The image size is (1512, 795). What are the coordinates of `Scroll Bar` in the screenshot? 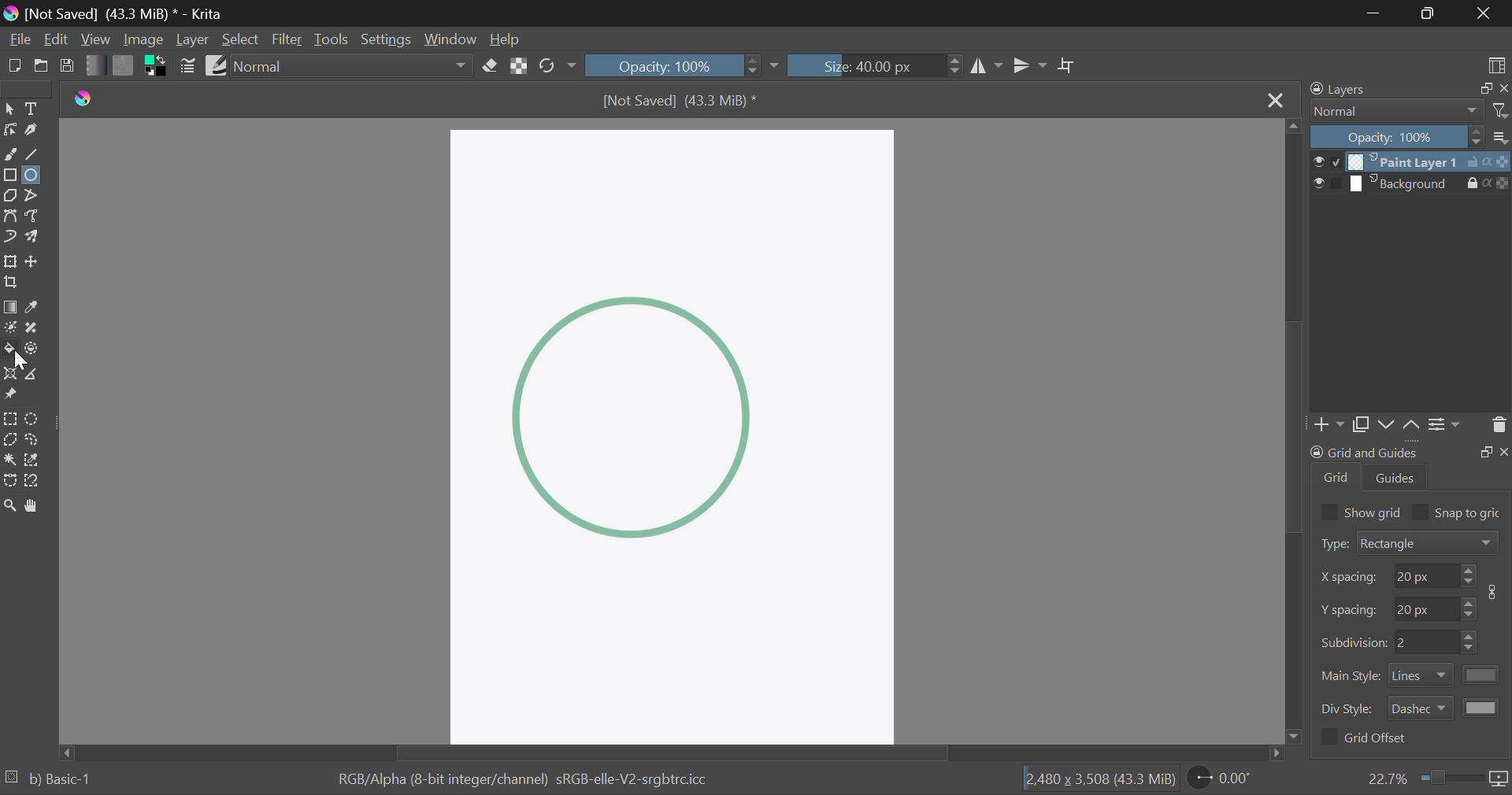 It's located at (681, 752).